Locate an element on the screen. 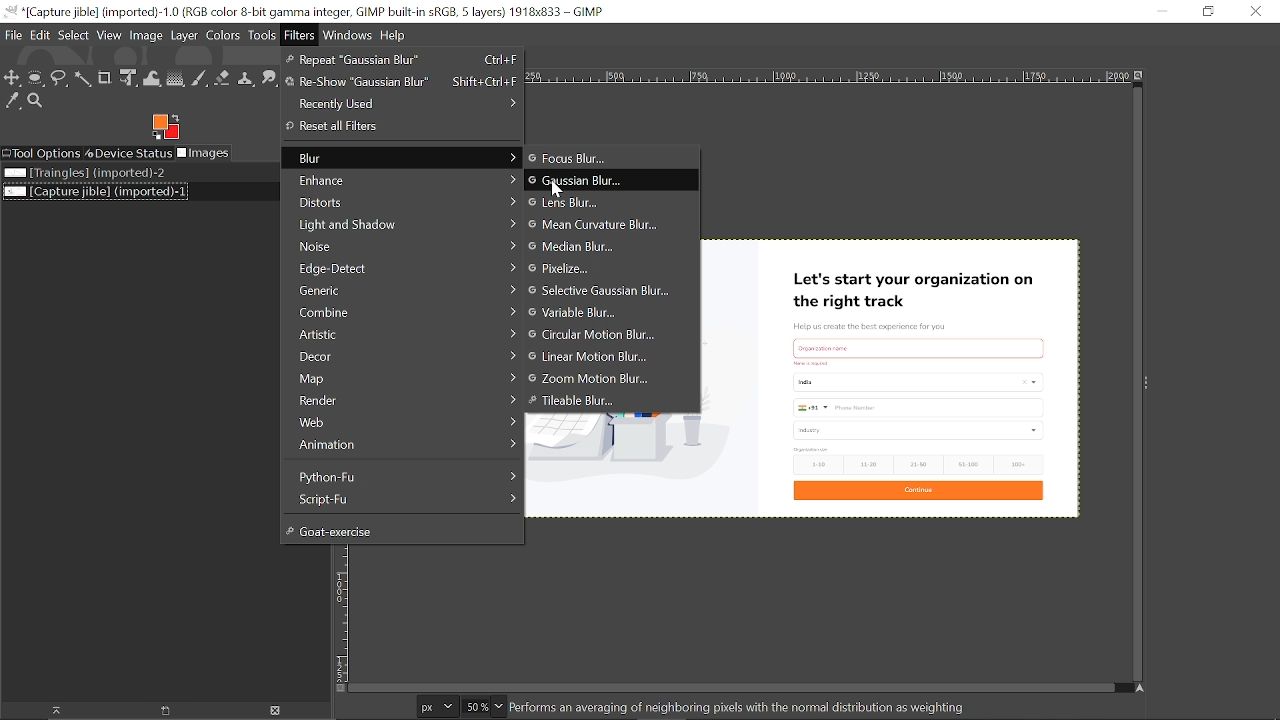  Toggle quick mask on/off is located at coordinates (339, 688).